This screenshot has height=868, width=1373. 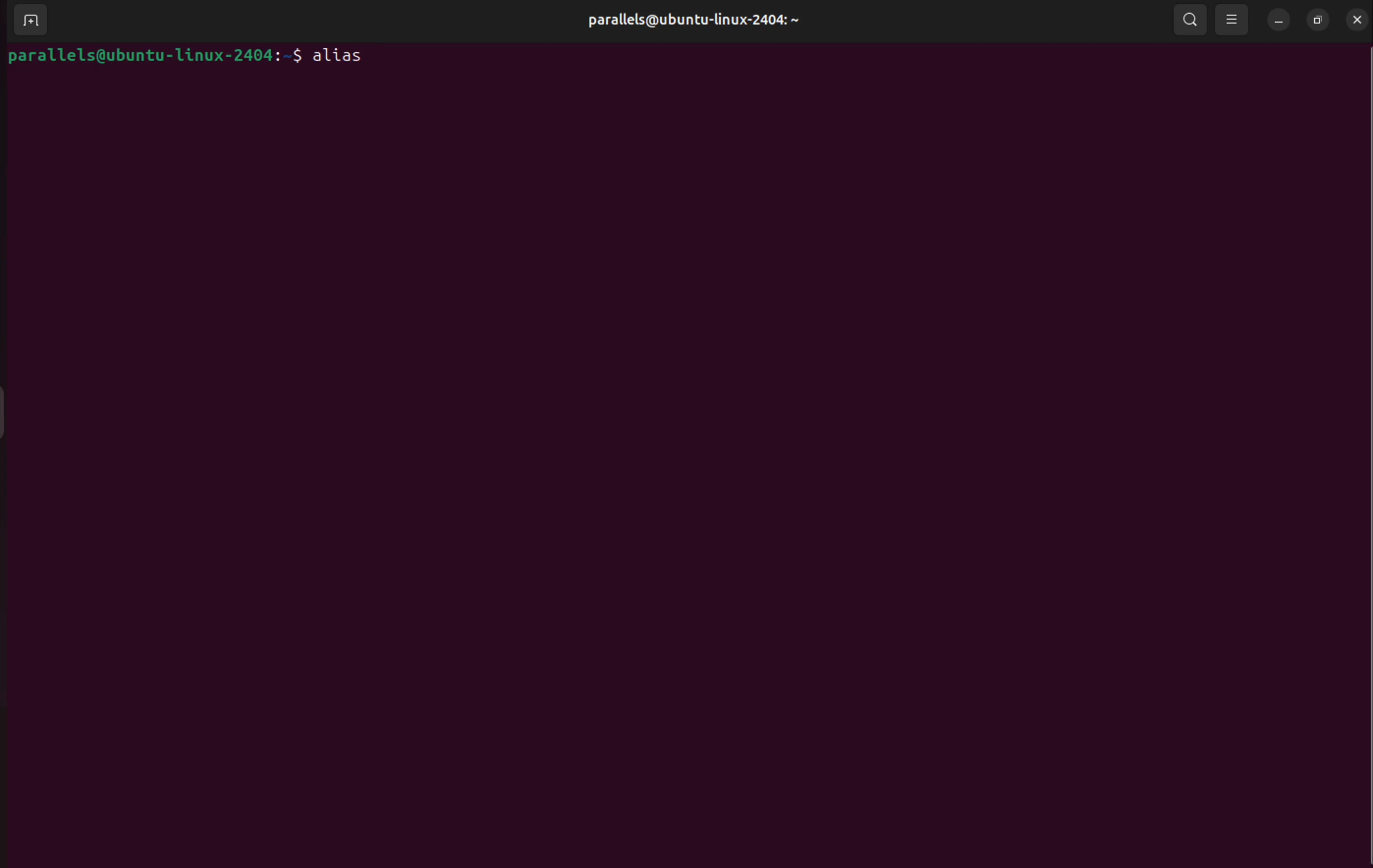 I want to click on resize, so click(x=1318, y=19).